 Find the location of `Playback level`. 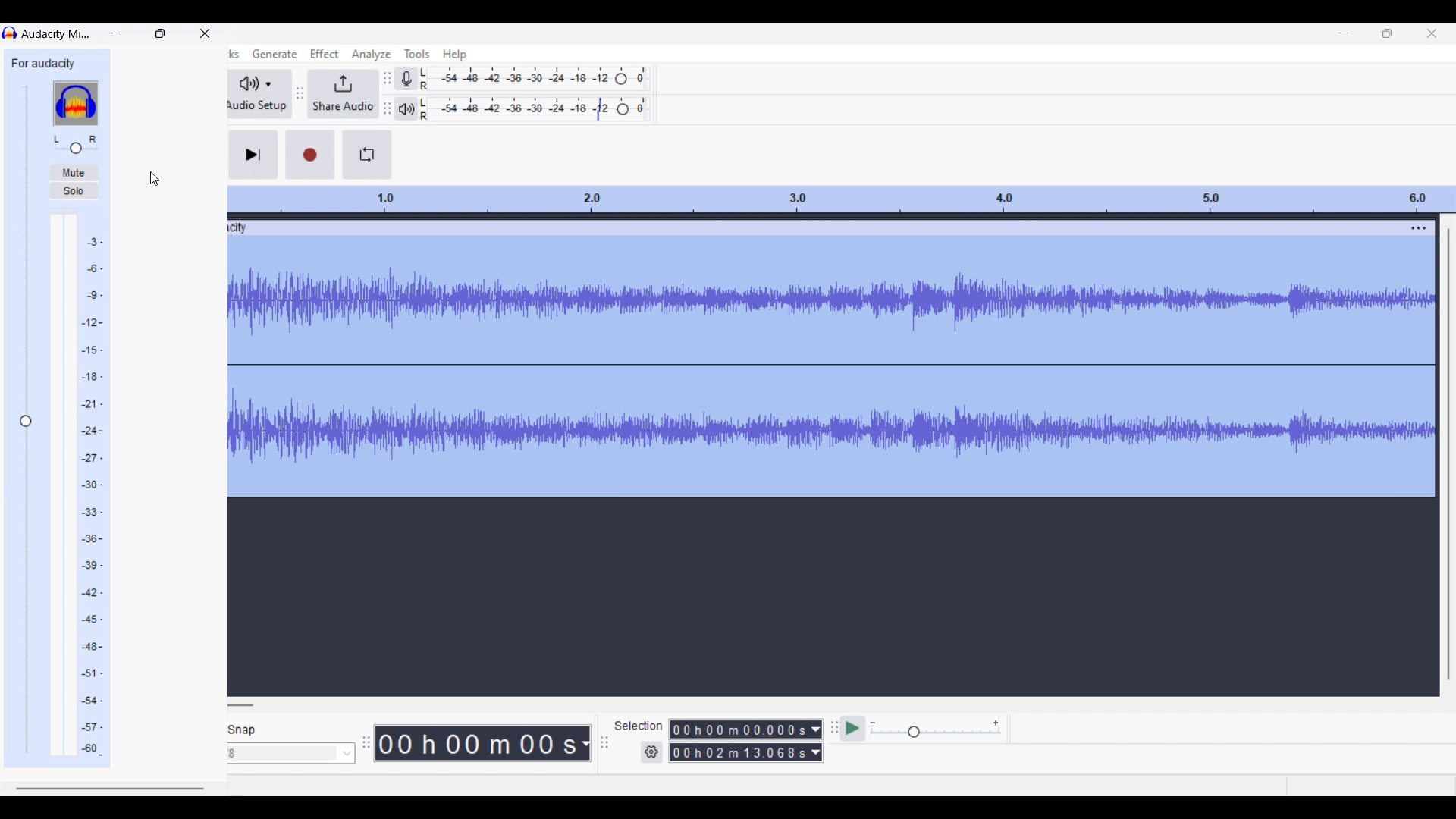

Playback level is located at coordinates (535, 109).